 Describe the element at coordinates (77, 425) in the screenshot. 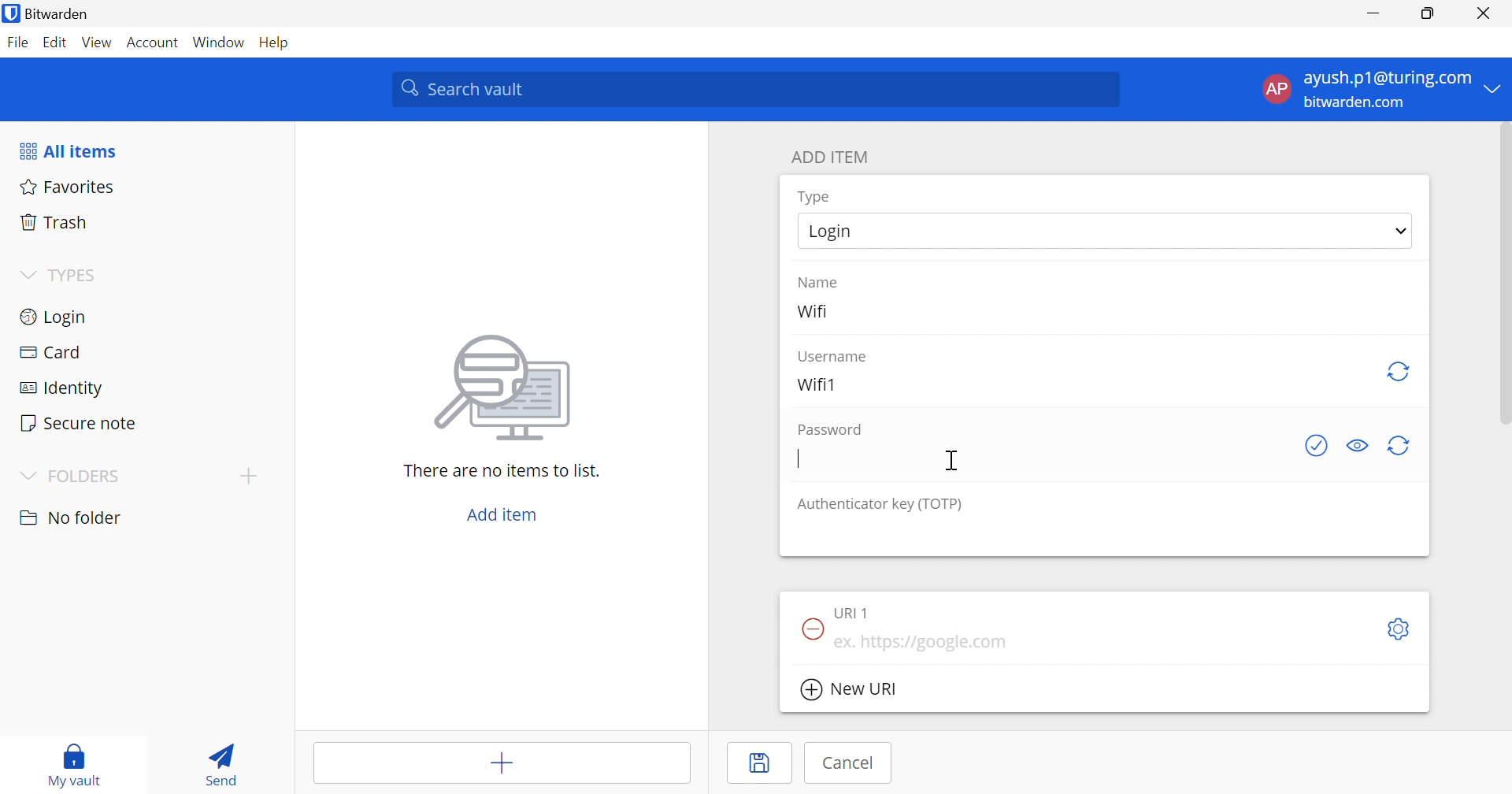

I see `Secure note` at that location.